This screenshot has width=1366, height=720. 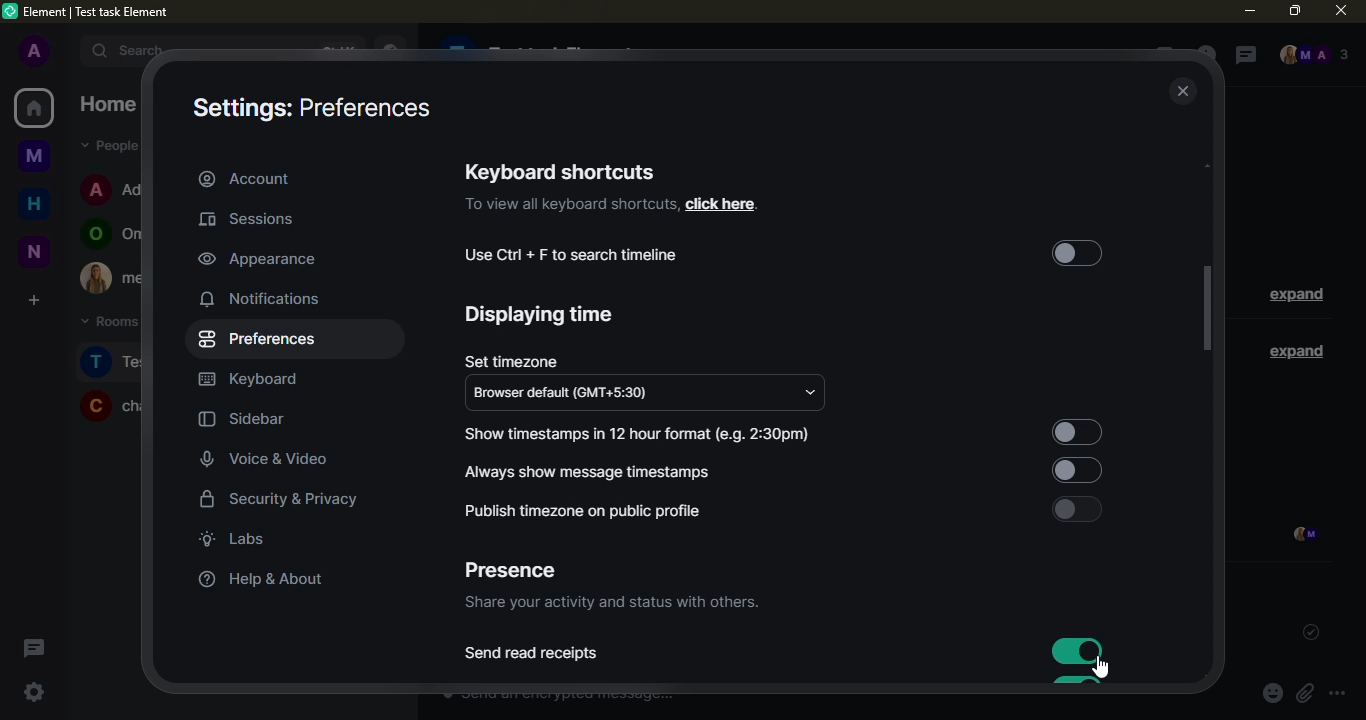 I want to click on enable, so click(x=1077, y=255).